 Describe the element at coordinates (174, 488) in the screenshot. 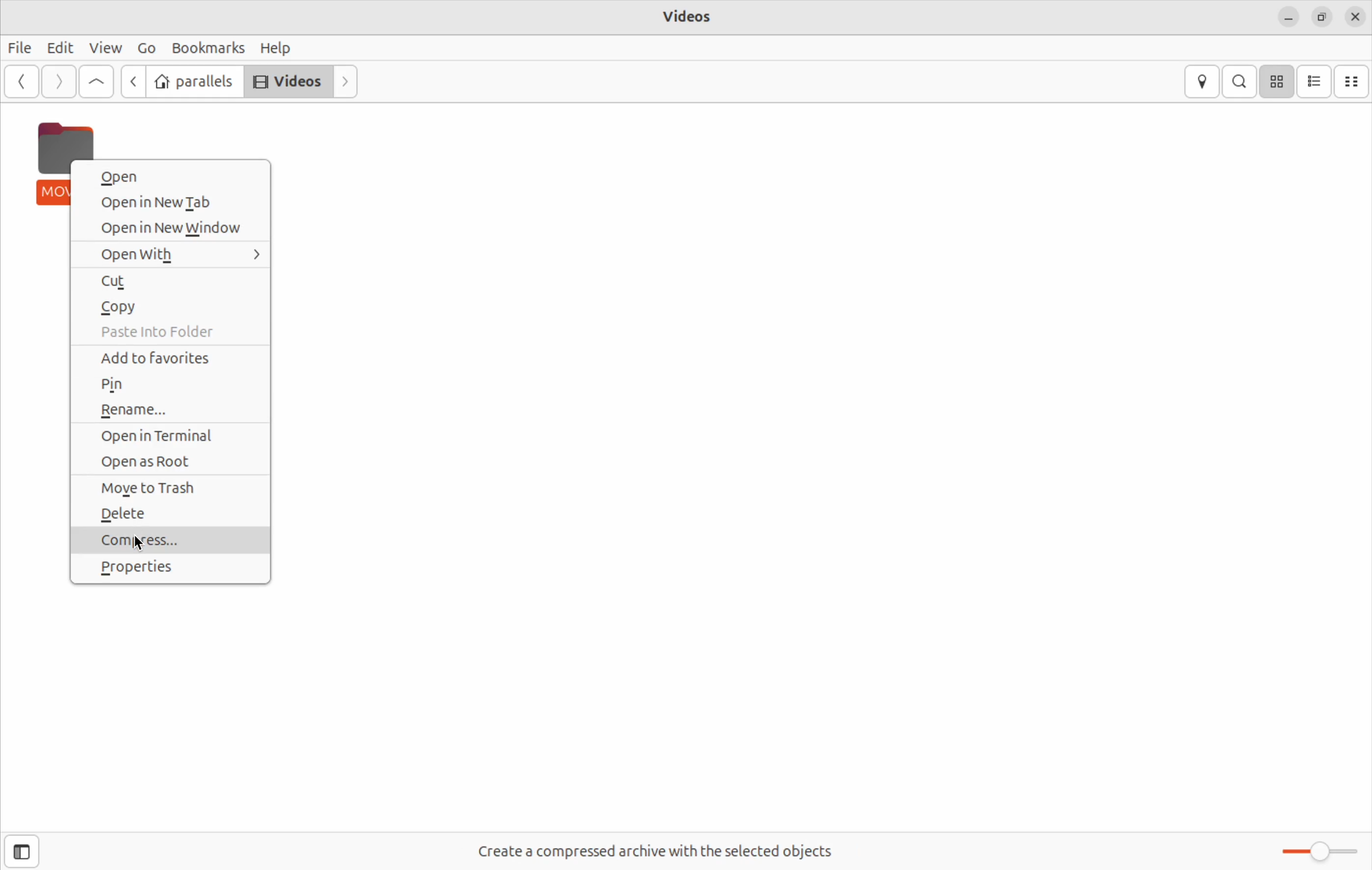

I see `move to trash` at that location.